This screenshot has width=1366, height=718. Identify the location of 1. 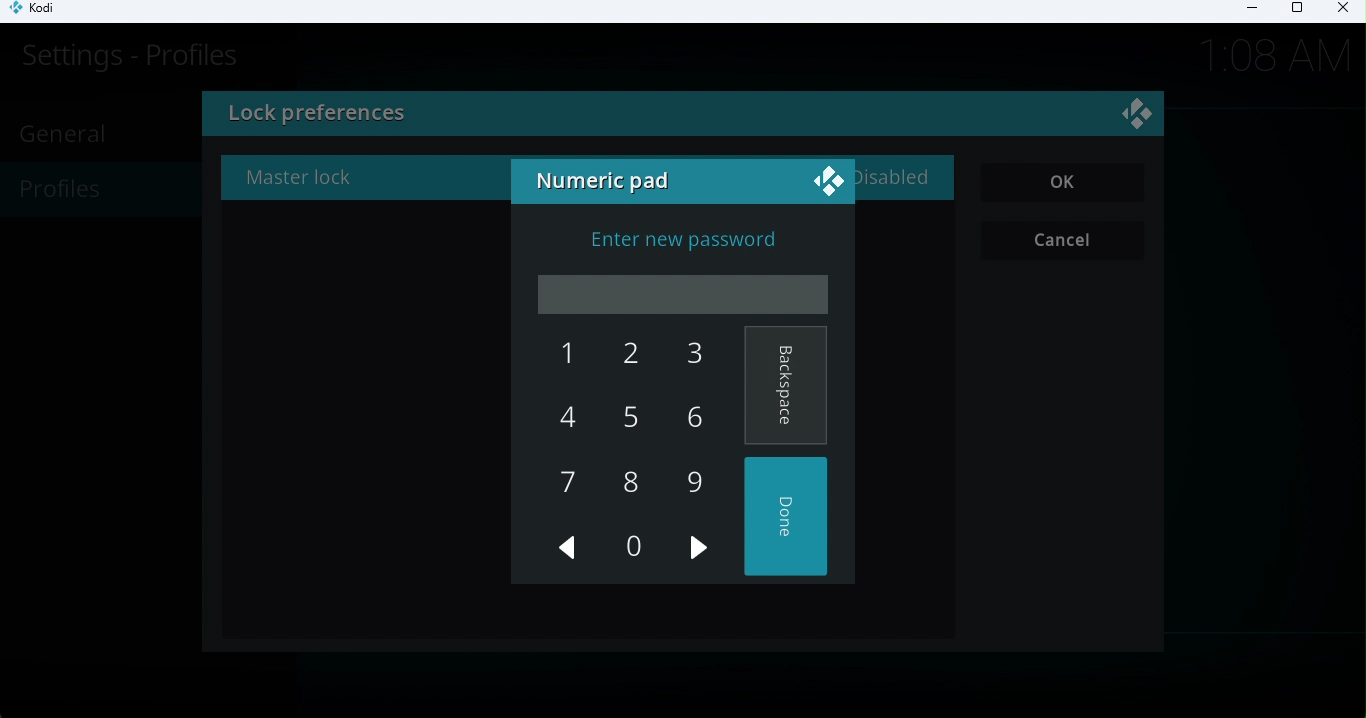
(559, 355).